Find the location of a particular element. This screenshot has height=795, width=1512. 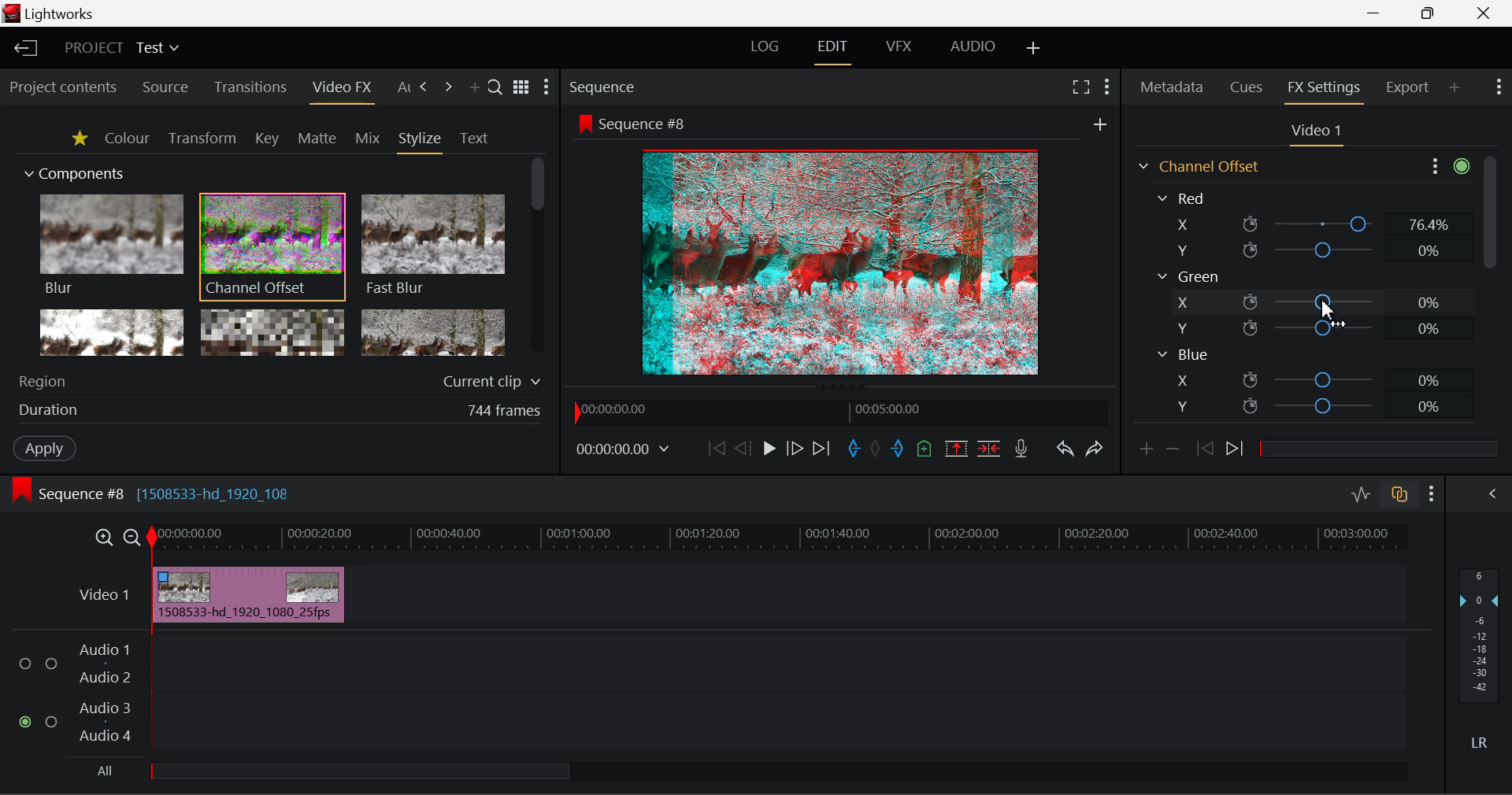

Scroll Bar is located at coordinates (535, 256).